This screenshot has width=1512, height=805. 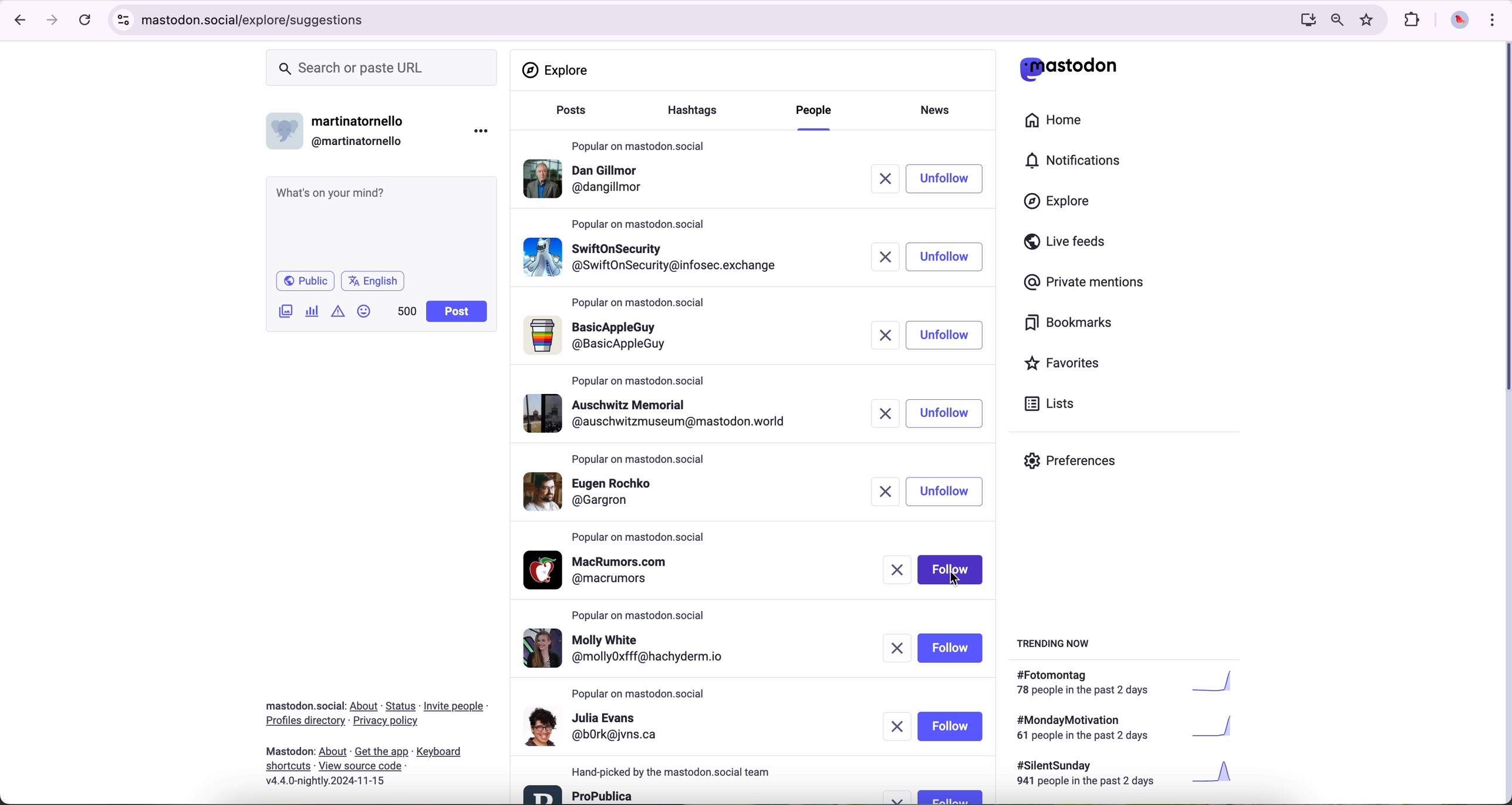 I want to click on cursor, so click(x=961, y=581).